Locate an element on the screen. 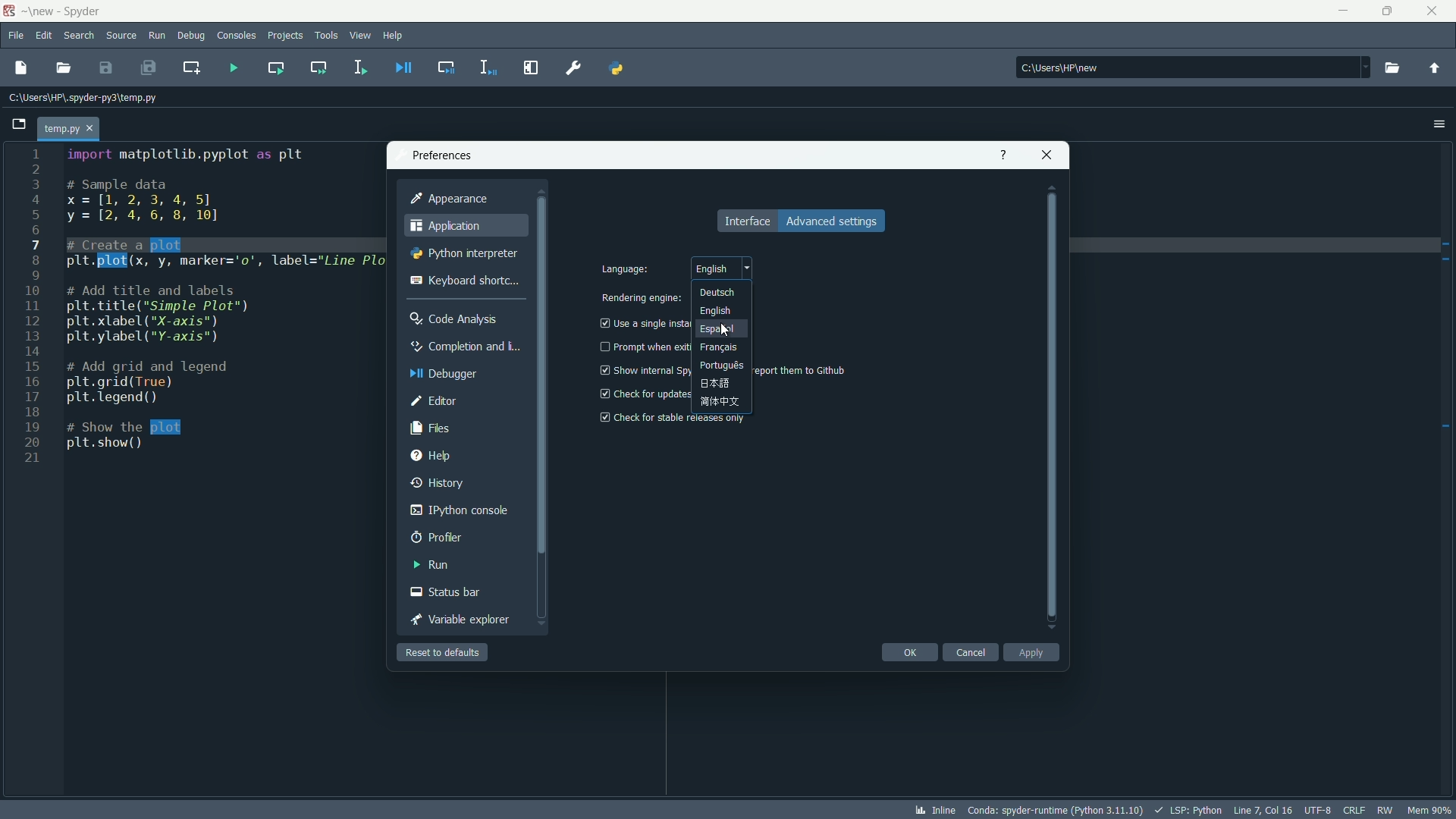  checkbox is located at coordinates (603, 394).